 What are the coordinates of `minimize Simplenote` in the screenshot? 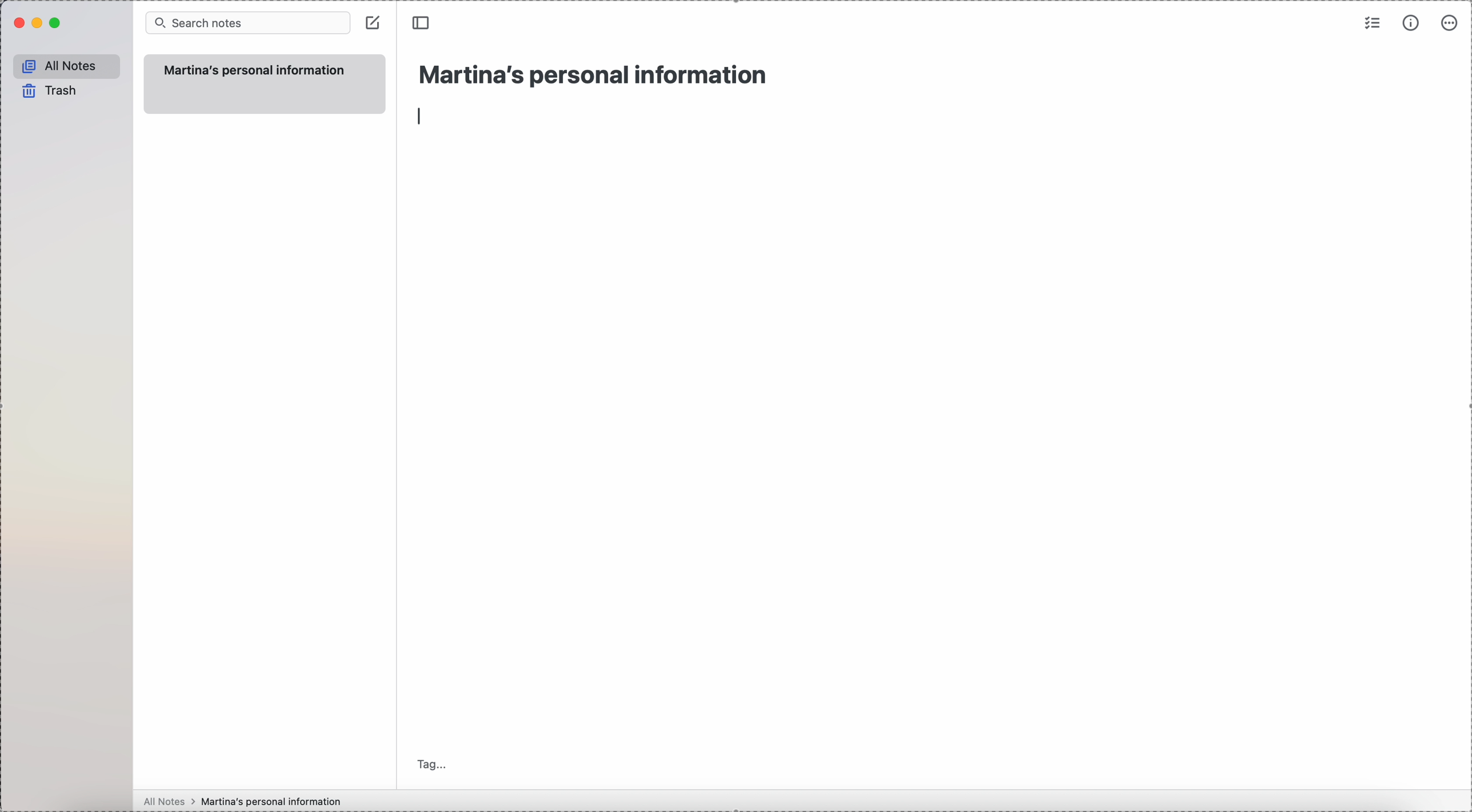 It's located at (39, 23).